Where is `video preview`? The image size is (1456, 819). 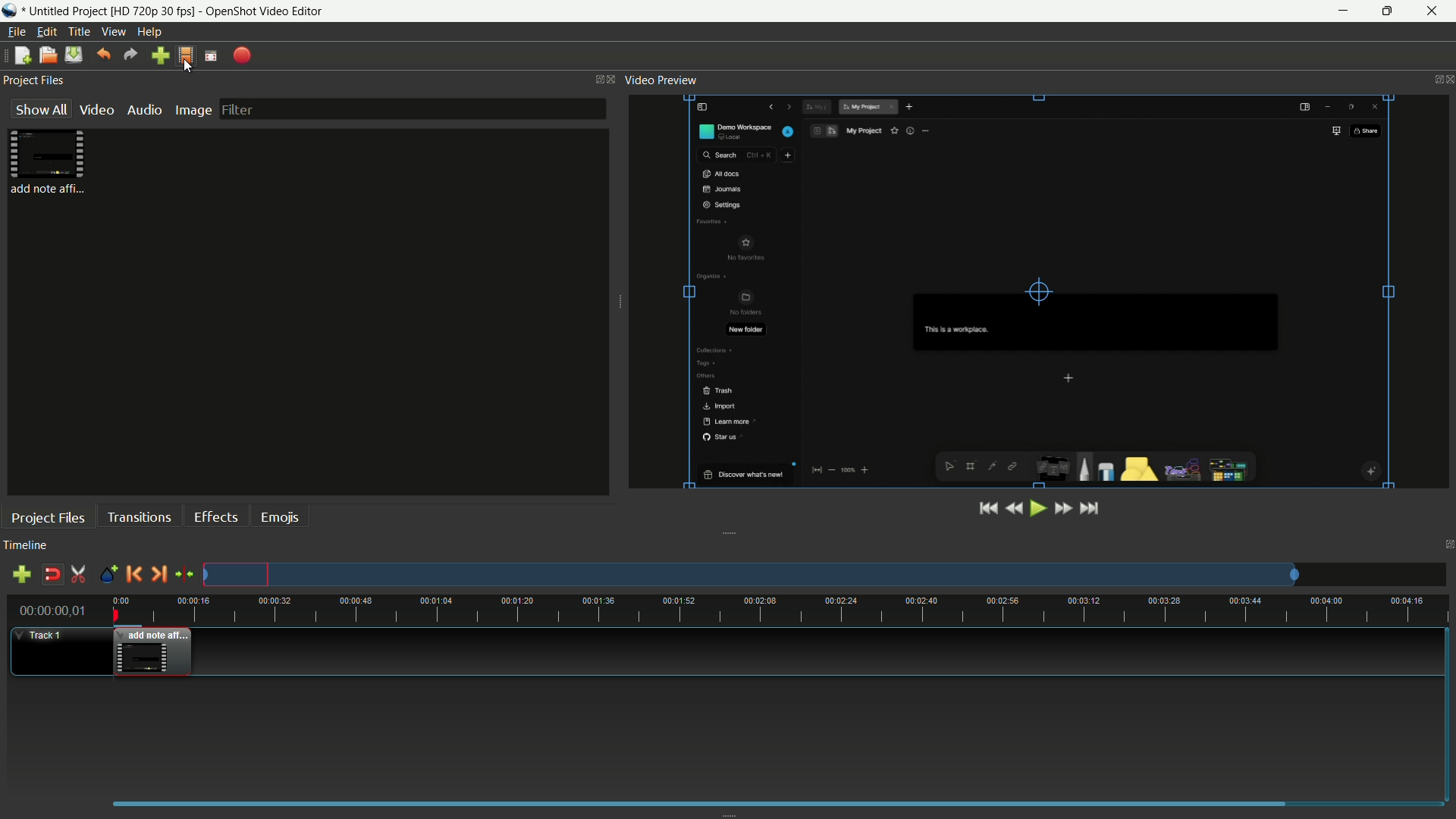
video preview is located at coordinates (1040, 290).